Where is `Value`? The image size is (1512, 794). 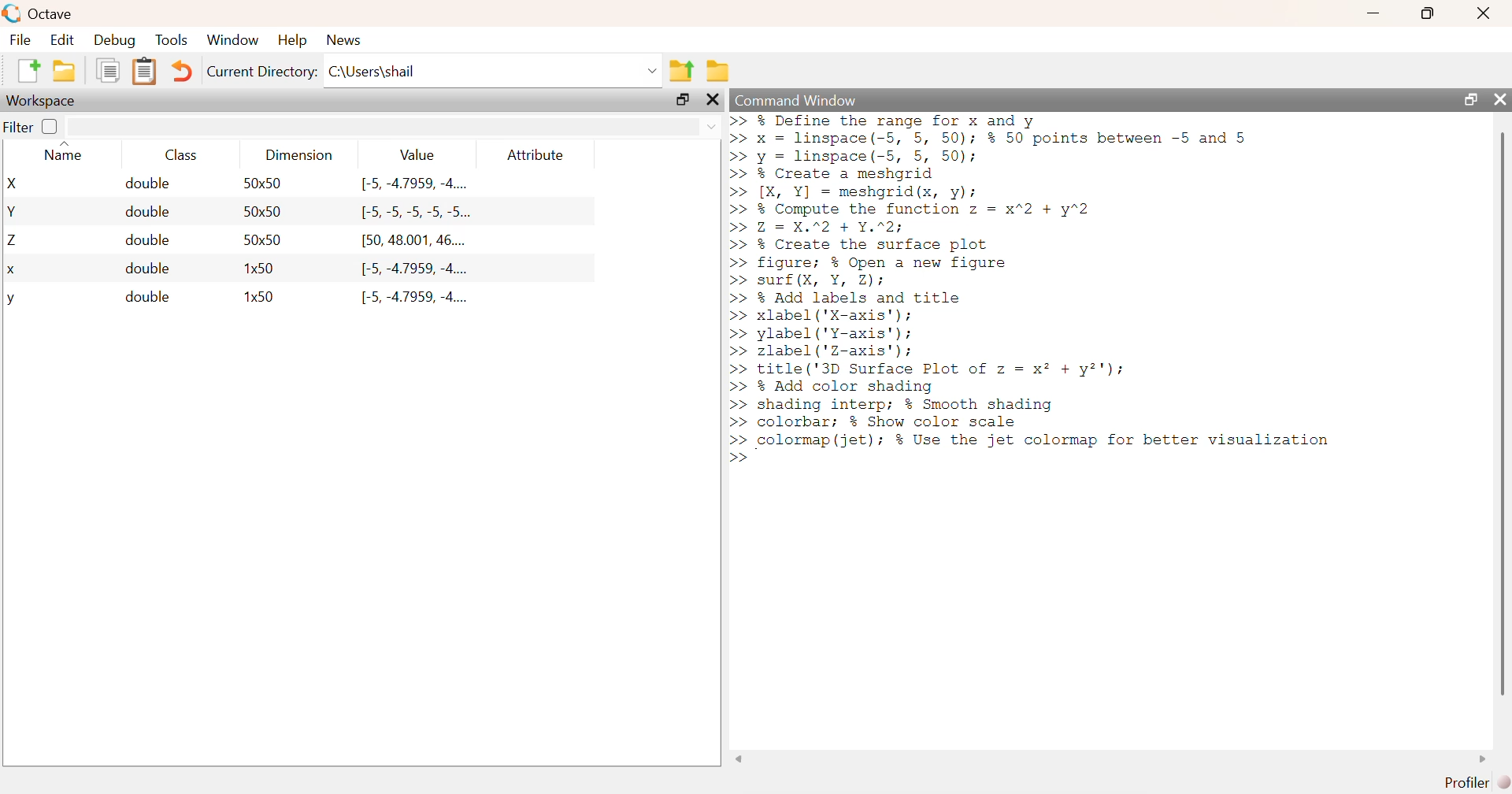 Value is located at coordinates (417, 154).